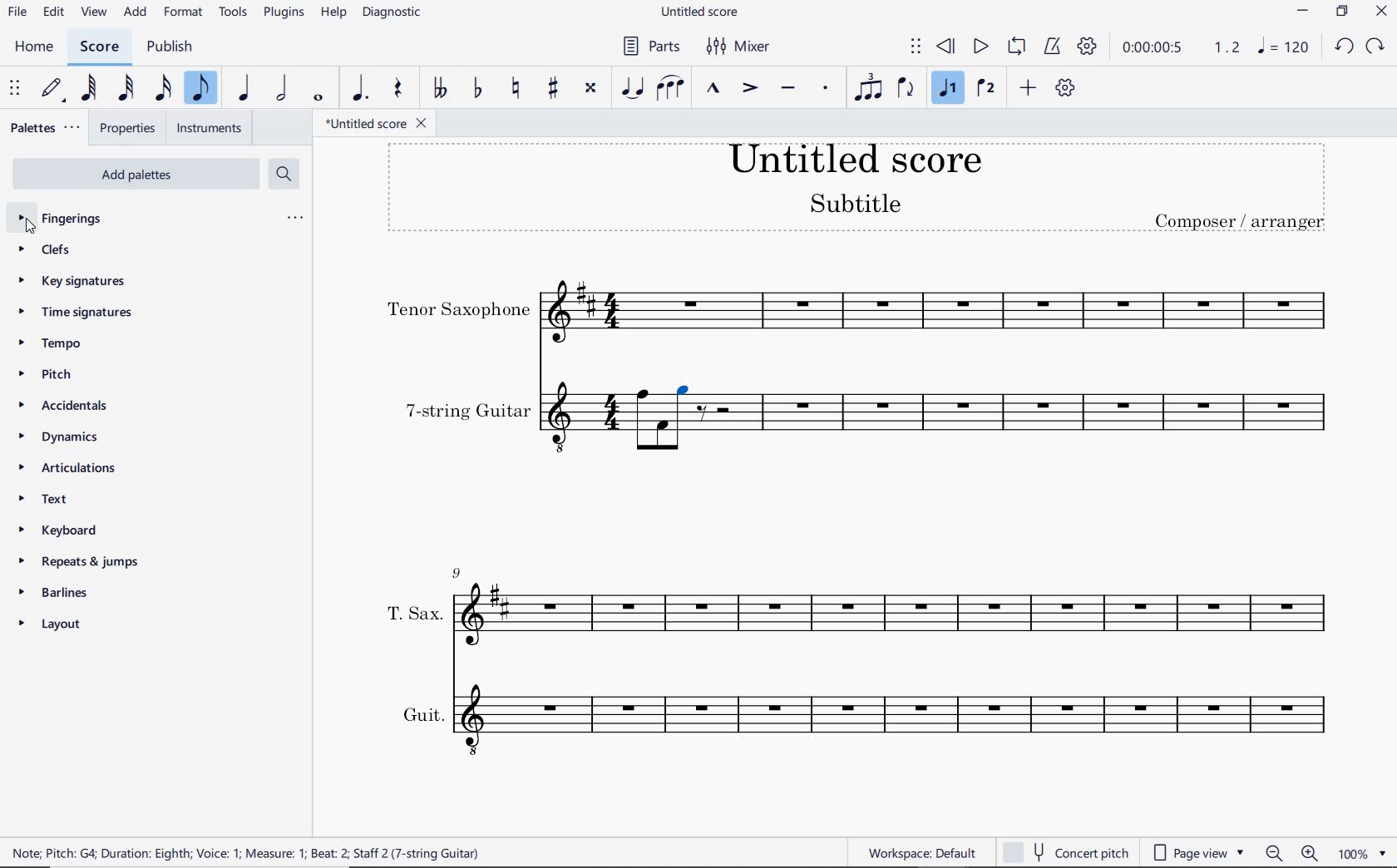  I want to click on TENUTO, so click(787, 88).